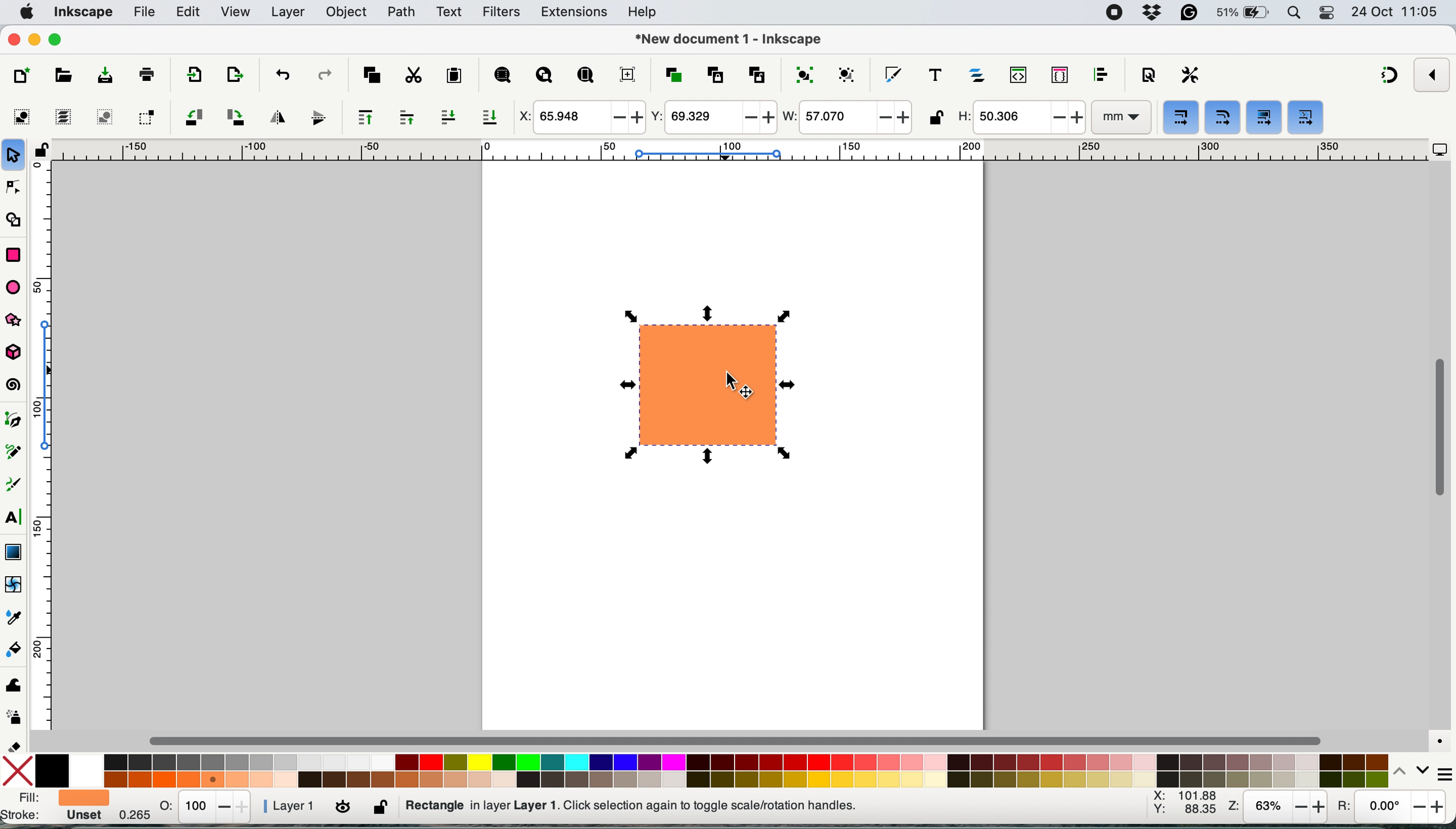 This screenshot has width=1456, height=829. Describe the element at coordinates (372, 73) in the screenshot. I see `copy` at that location.